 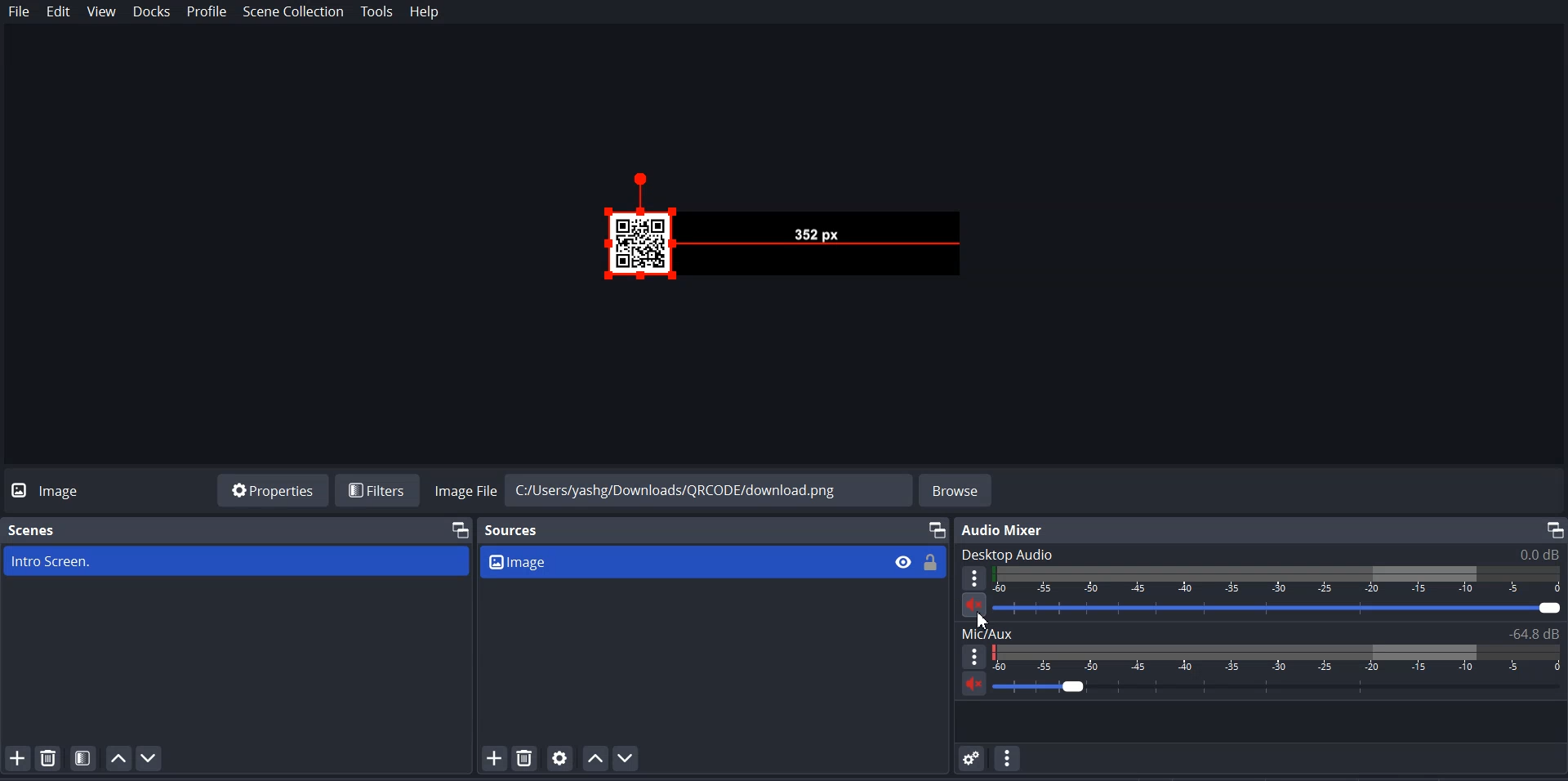 What do you see at coordinates (1279, 609) in the screenshot?
I see `Volume Adjuster` at bounding box center [1279, 609].